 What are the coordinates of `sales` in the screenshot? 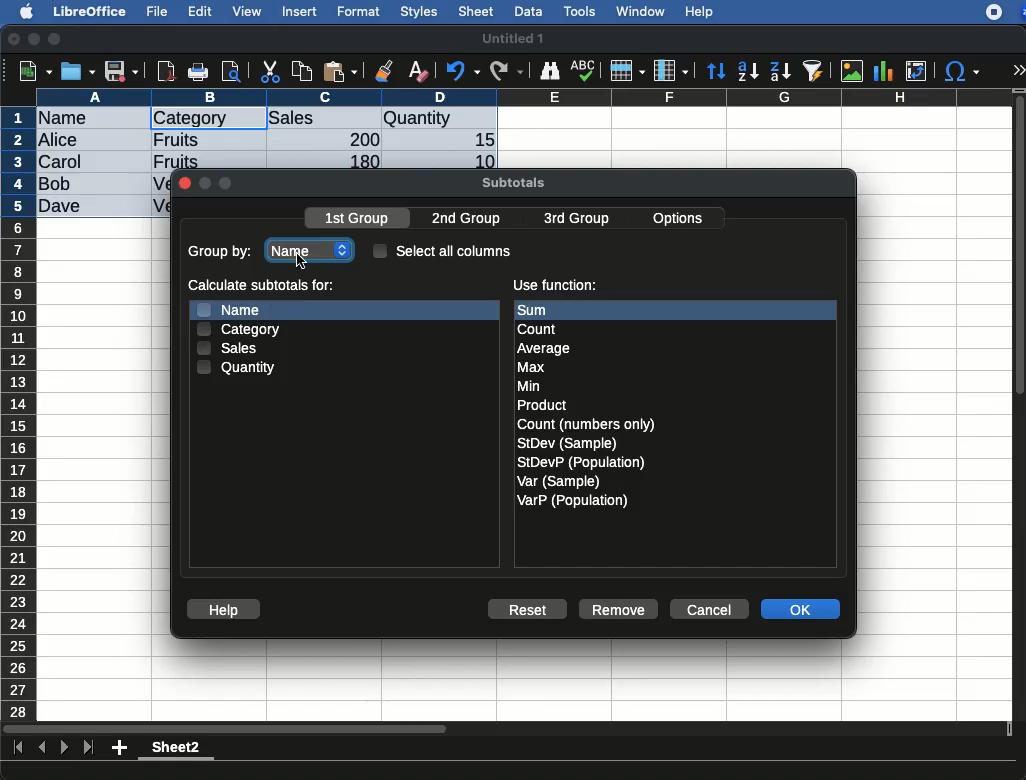 It's located at (325, 119).